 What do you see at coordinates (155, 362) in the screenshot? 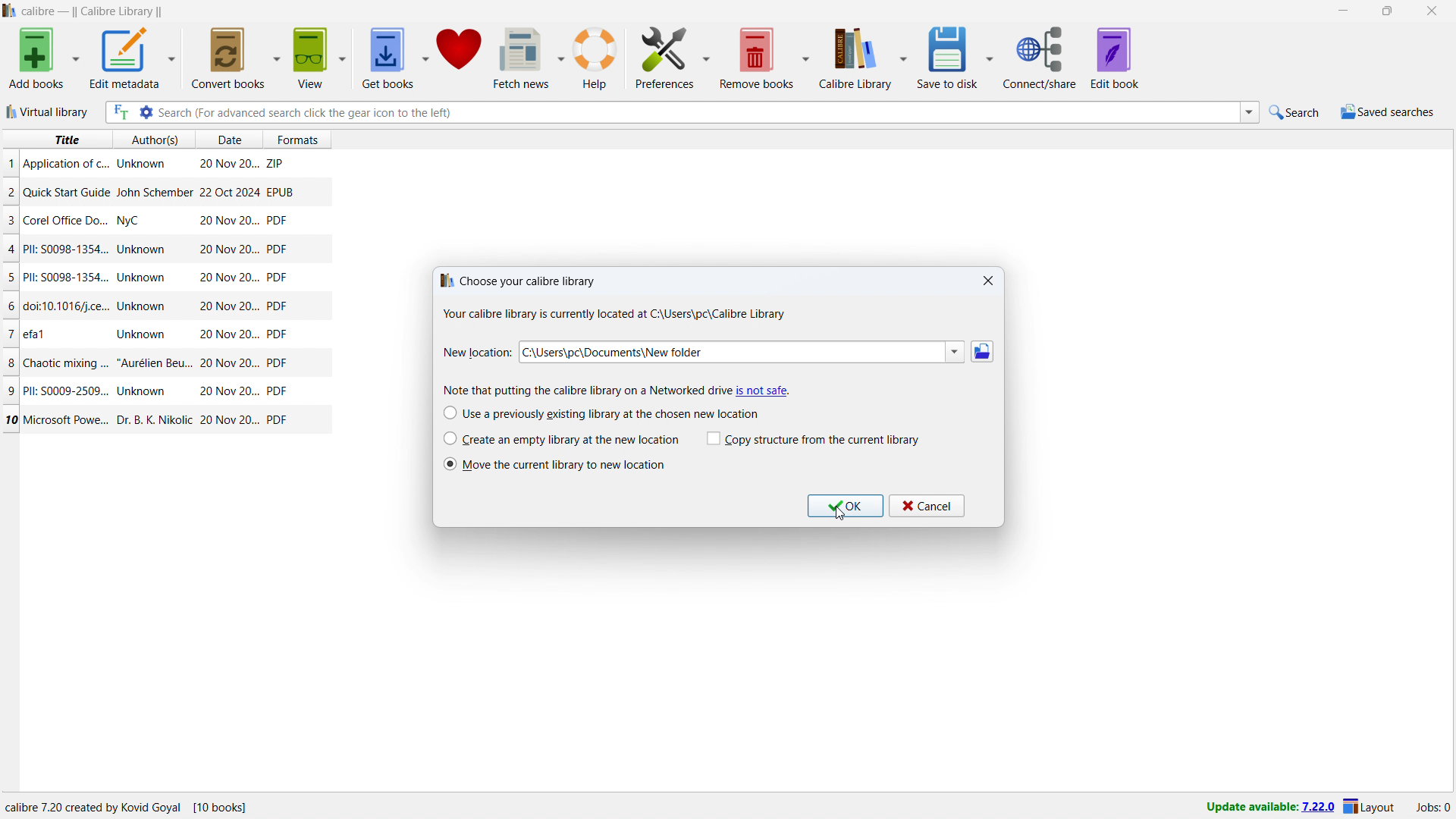
I see `Author` at bounding box center [155, 362].